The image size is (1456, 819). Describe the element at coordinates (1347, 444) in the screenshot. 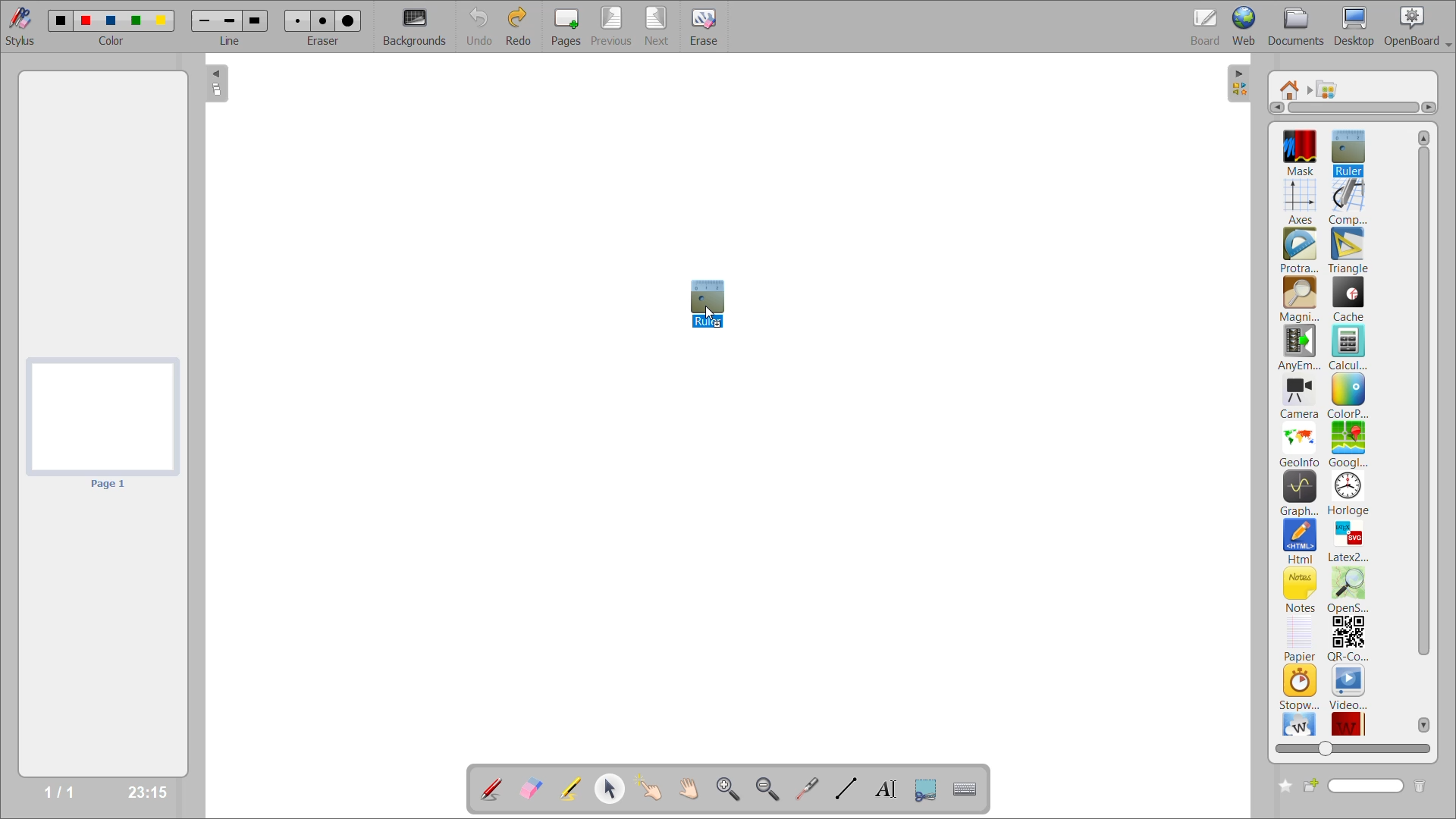

I see `googlemaps` at that location.